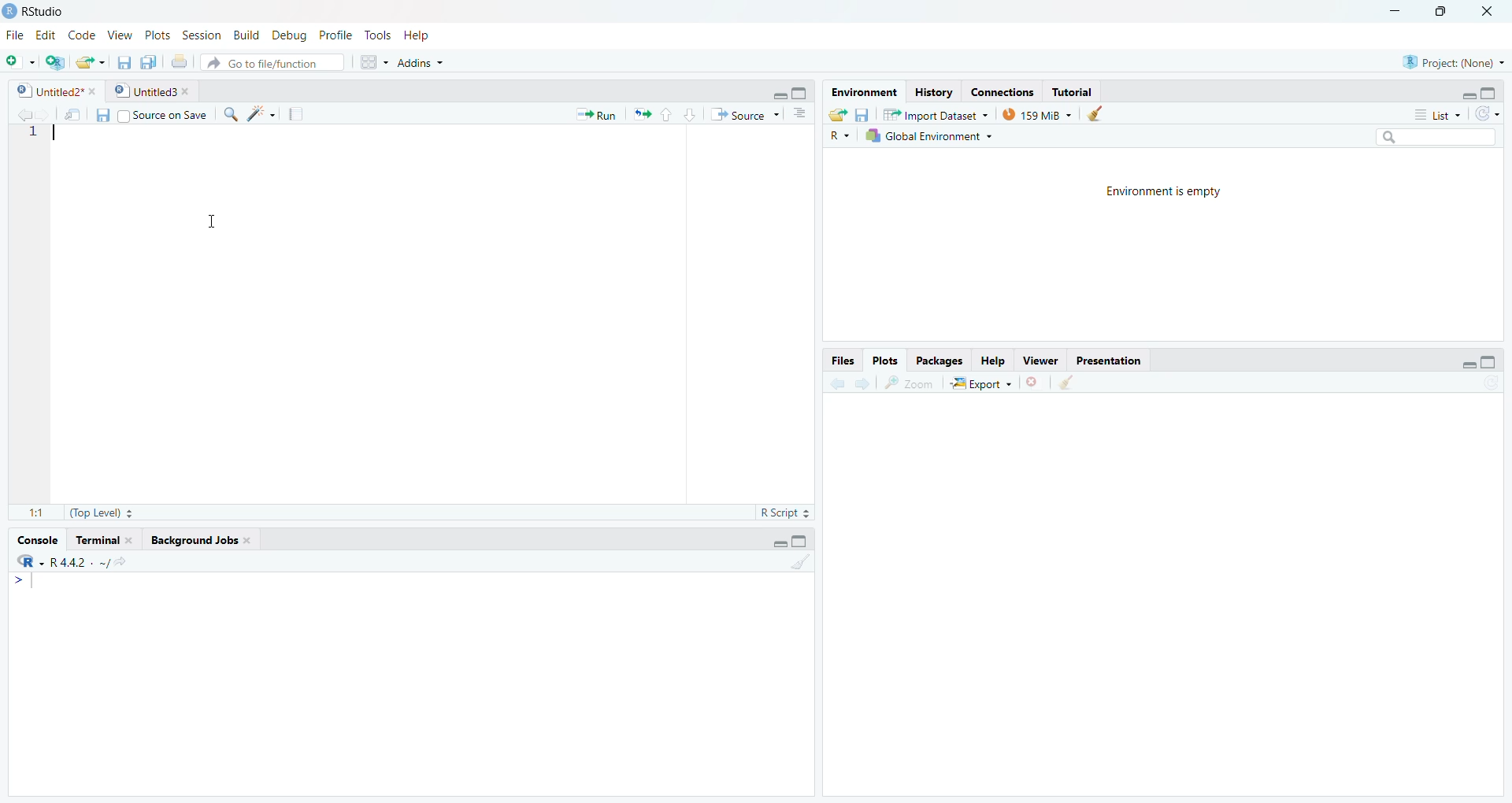  I want to click on Refresh, so click(1488, 114).